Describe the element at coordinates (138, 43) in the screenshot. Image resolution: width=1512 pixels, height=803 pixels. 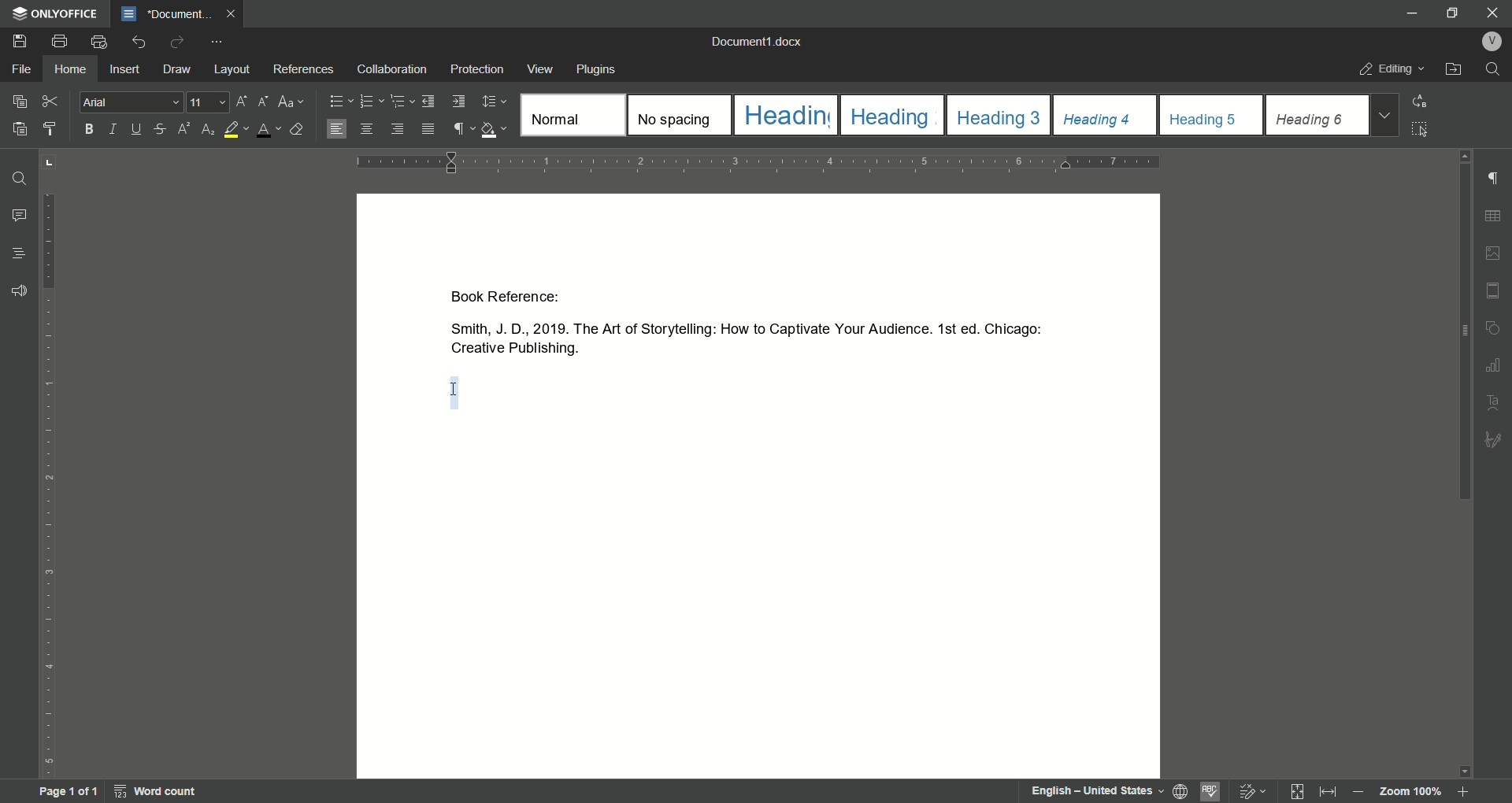
I see `undo` at that location.